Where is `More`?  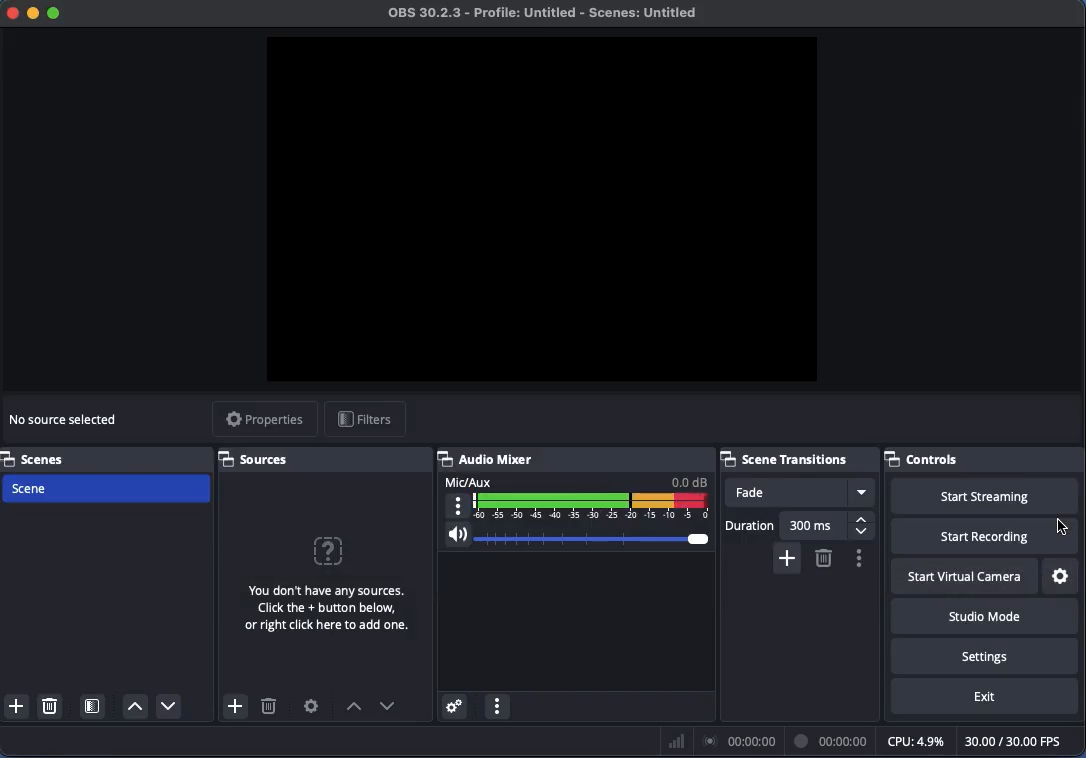
More is located at coordinates (458, 507).